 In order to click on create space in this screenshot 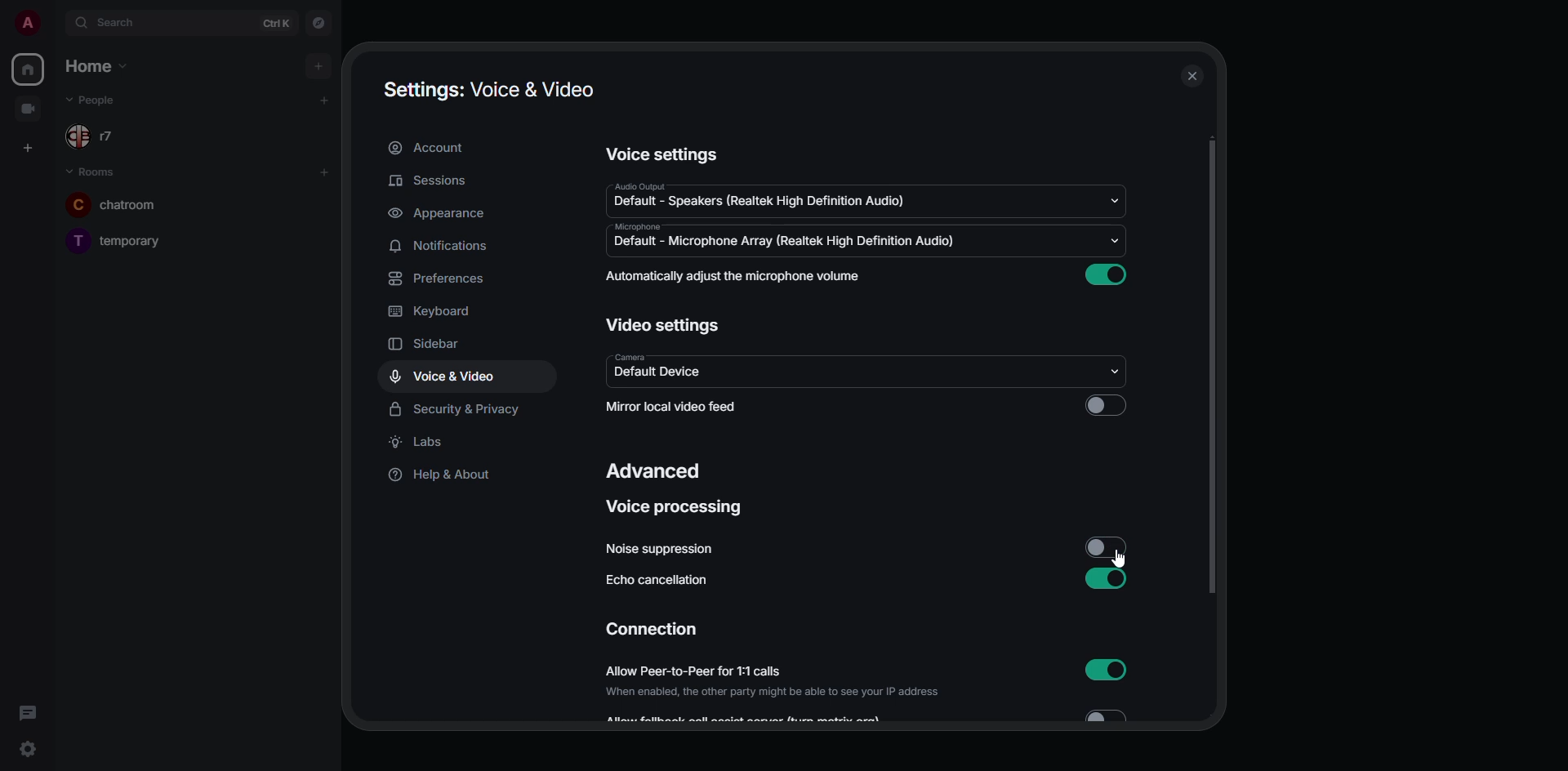, I will do `click(24, 146)`.